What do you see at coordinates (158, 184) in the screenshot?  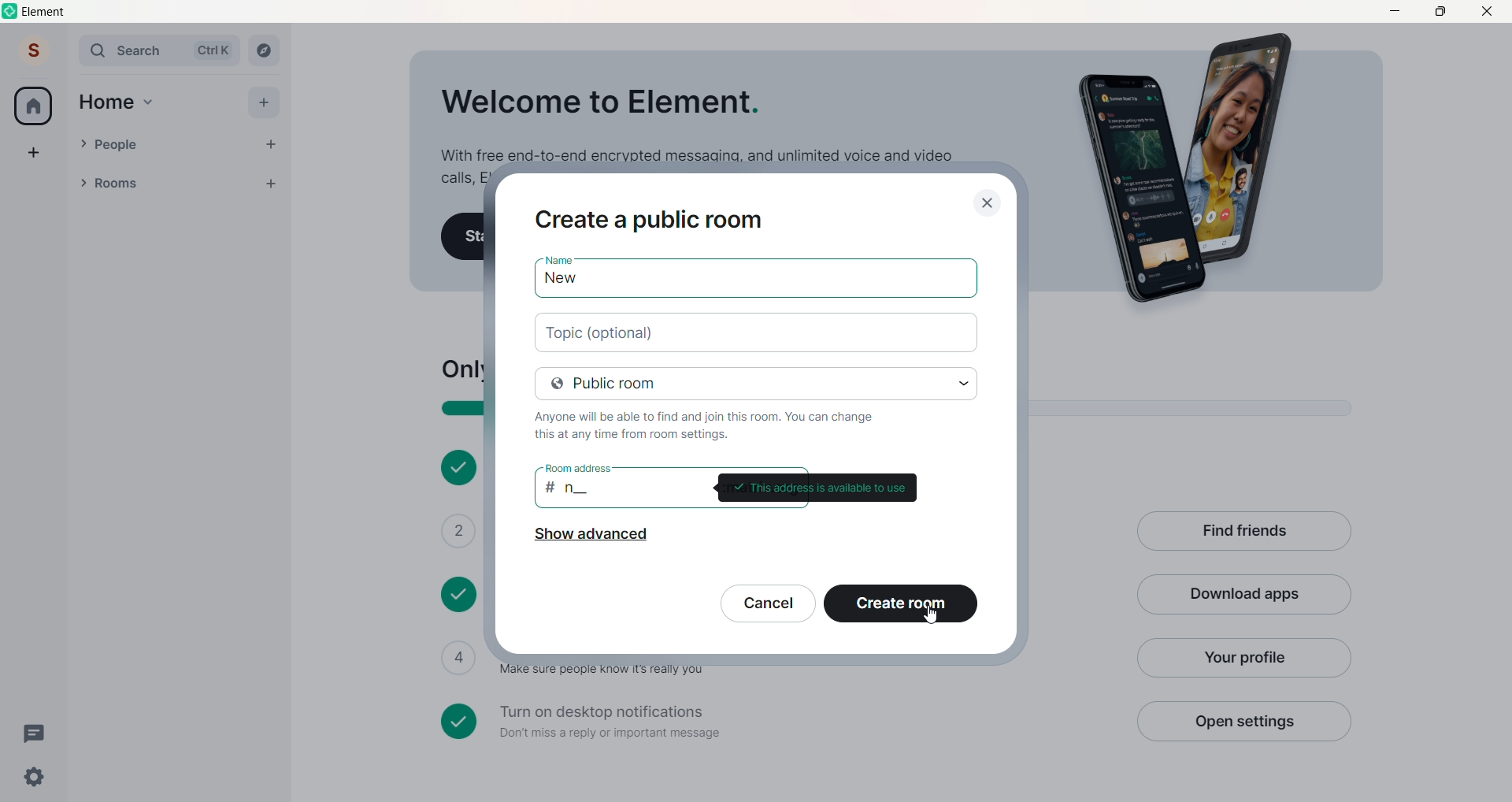 I see `Rooms` at bounding box center [158, 184].